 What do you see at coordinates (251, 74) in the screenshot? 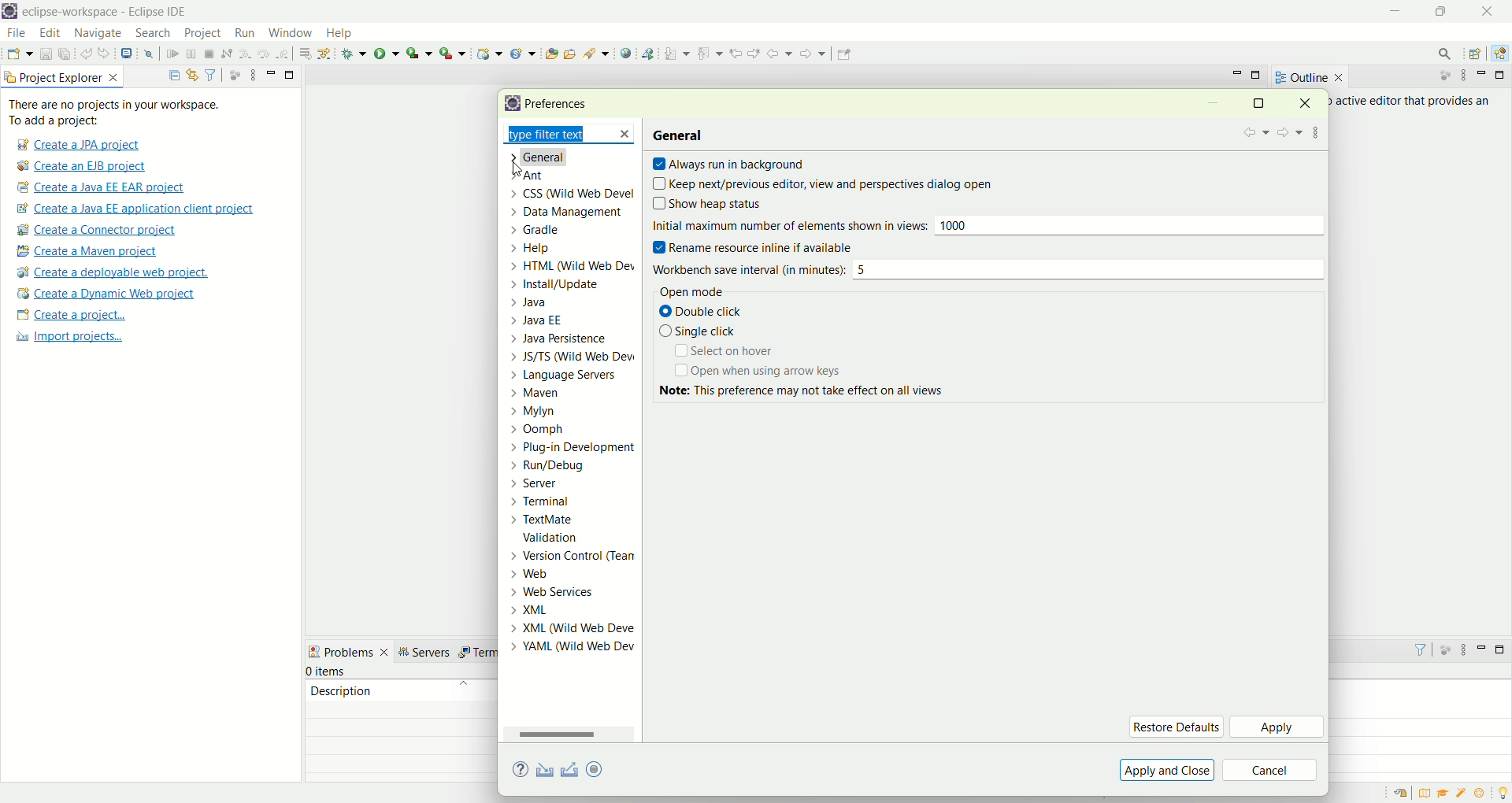
I see `view menu` at bounding box center [251, 74].